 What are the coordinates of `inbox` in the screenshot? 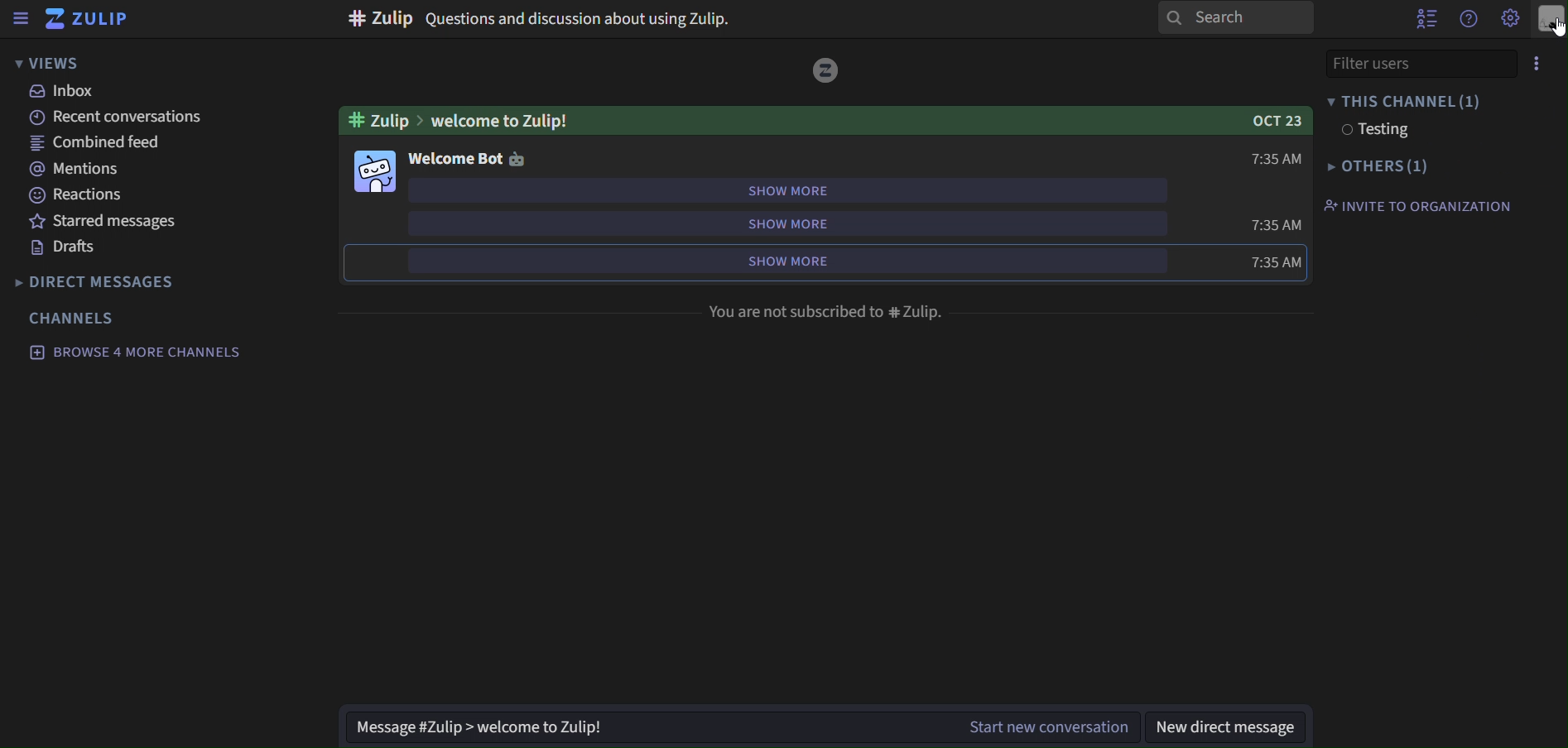 It's located at (64, 93).